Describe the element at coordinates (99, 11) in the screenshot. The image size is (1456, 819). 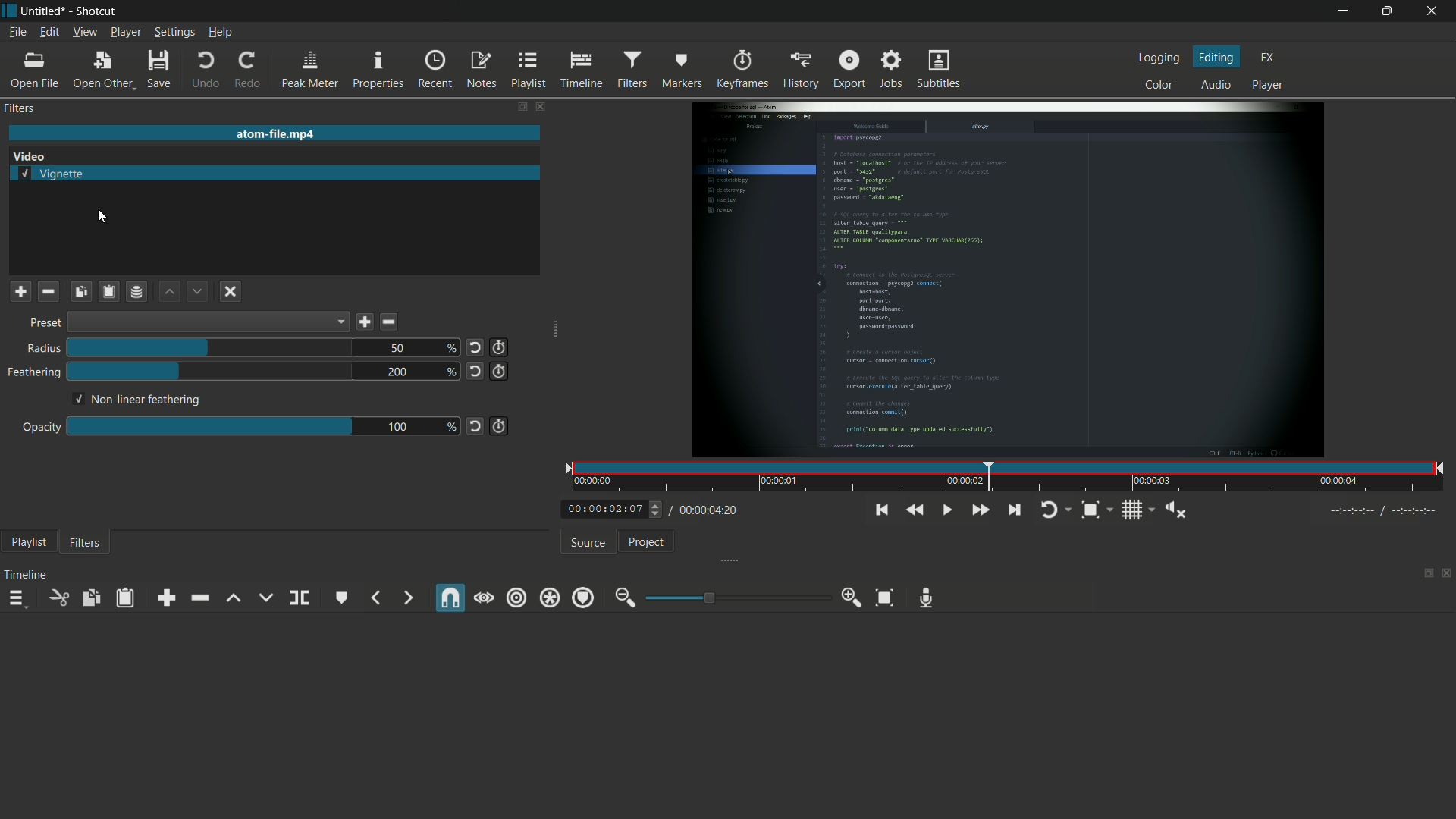
I see `app name` at that location.